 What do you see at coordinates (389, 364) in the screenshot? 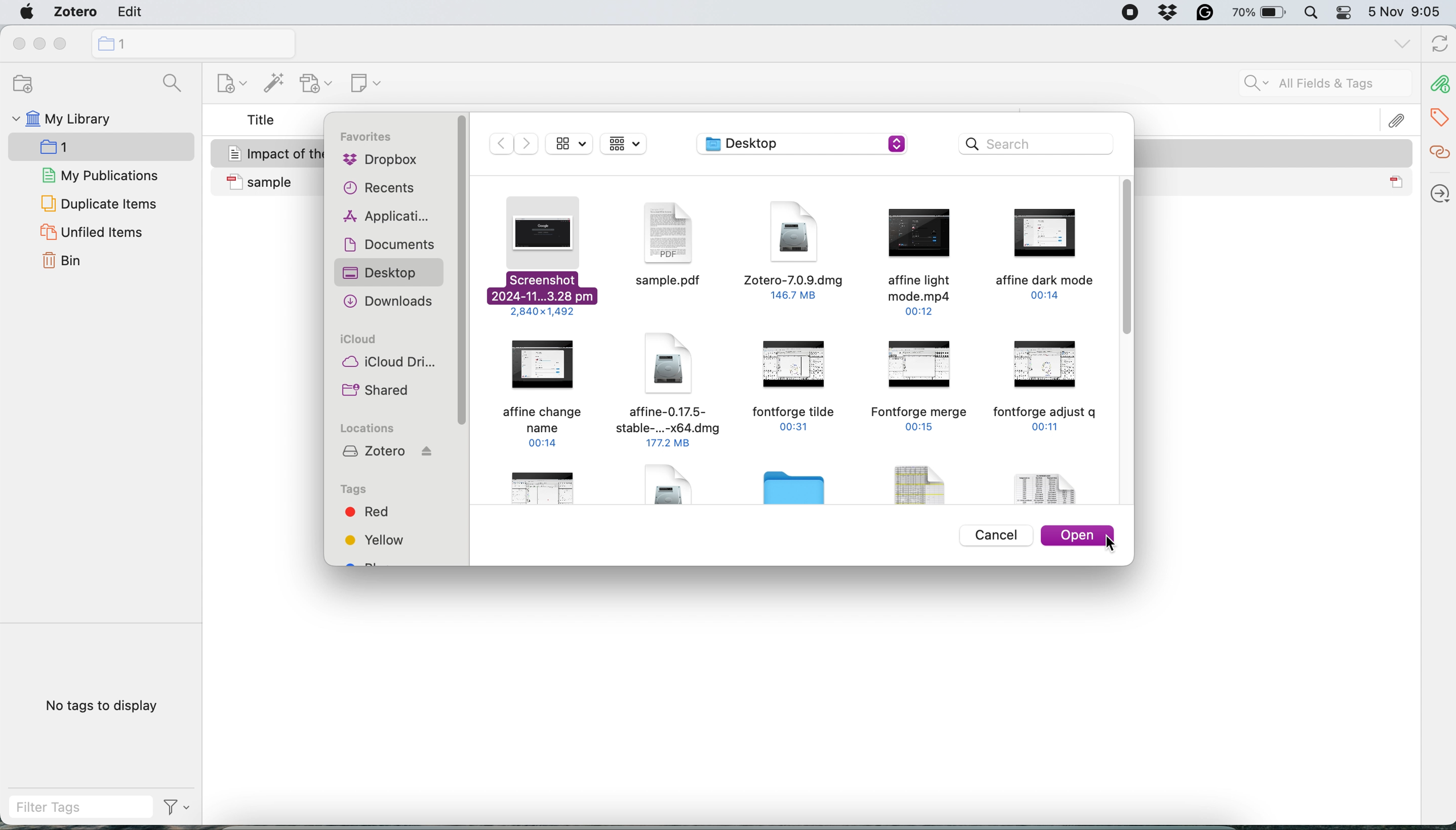
I see `icloud drive` at bounding box center [389, 364].